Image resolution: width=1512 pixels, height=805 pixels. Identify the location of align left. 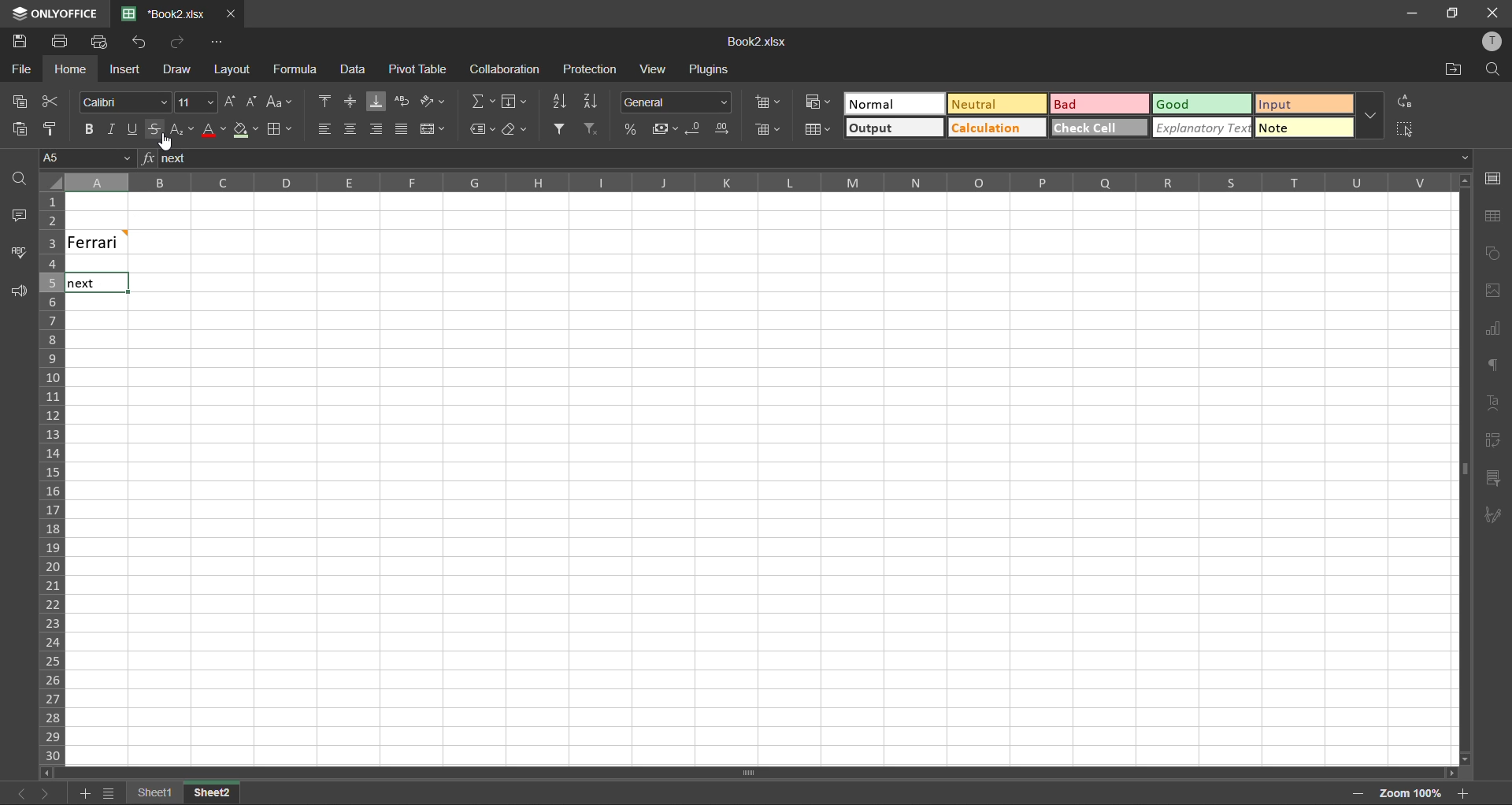
(326, 128).